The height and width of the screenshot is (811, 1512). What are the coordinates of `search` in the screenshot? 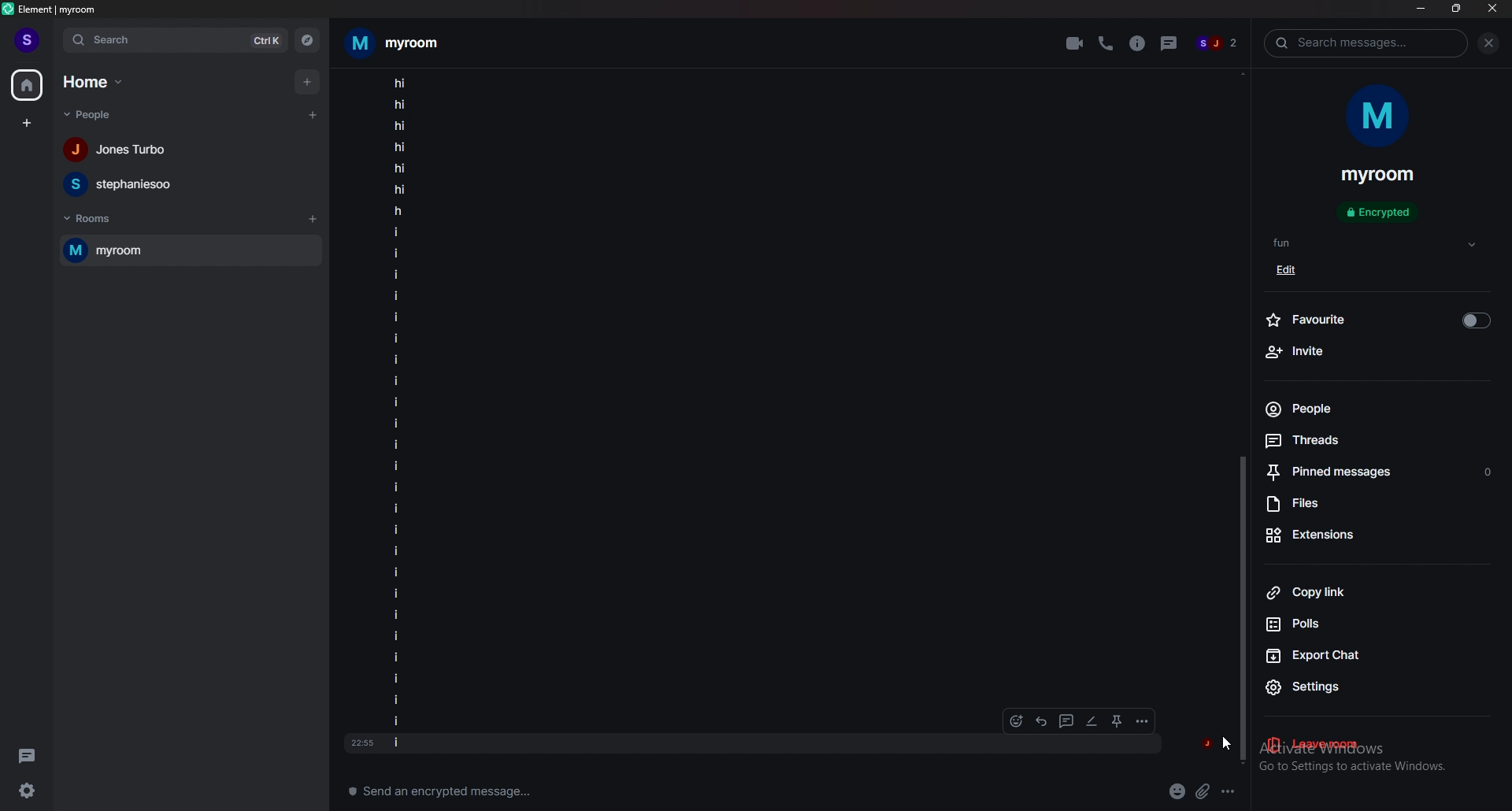 It's located at (176, 41).